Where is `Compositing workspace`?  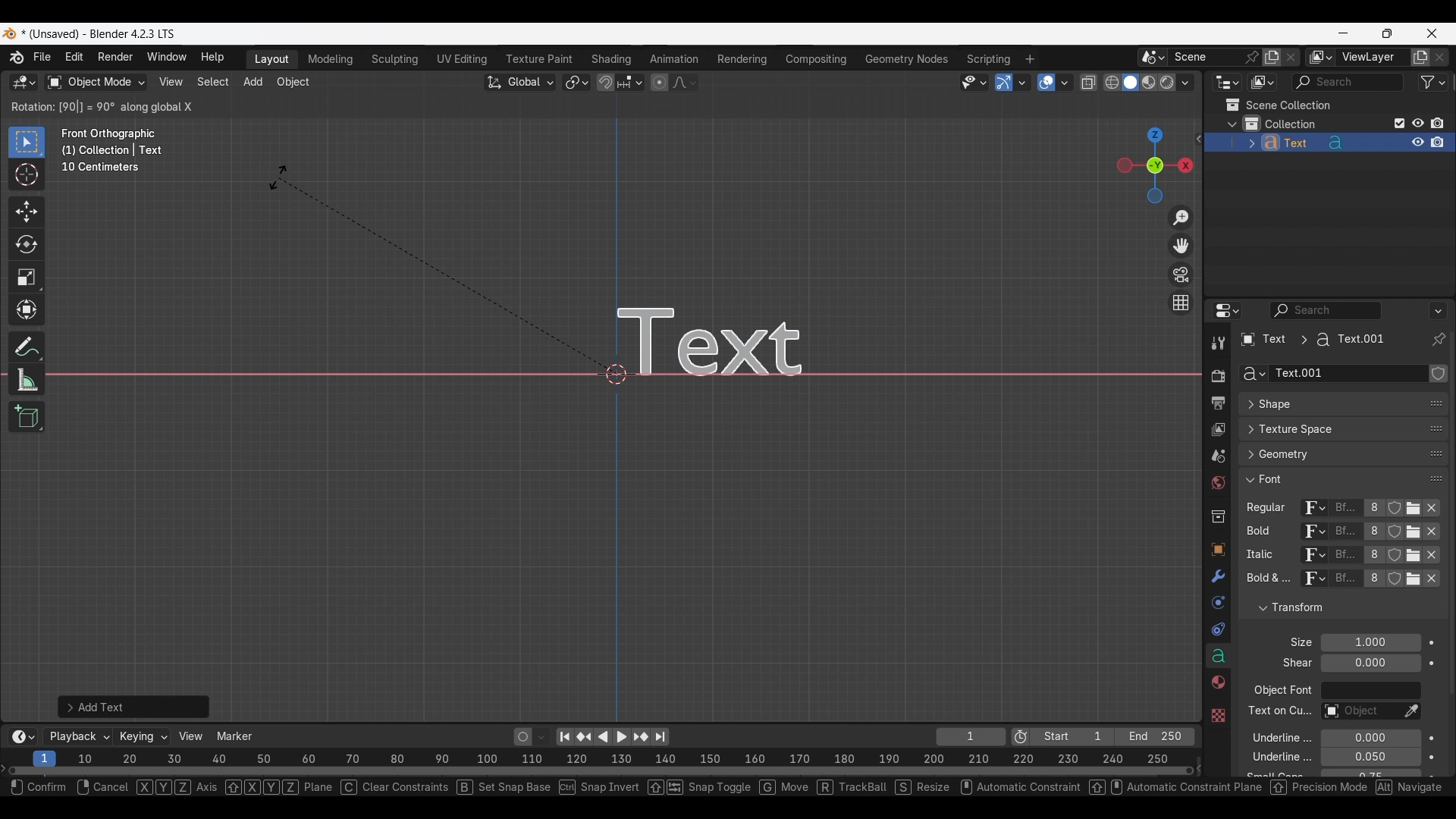
Compositing workspace is located at coordinates (817, 59).